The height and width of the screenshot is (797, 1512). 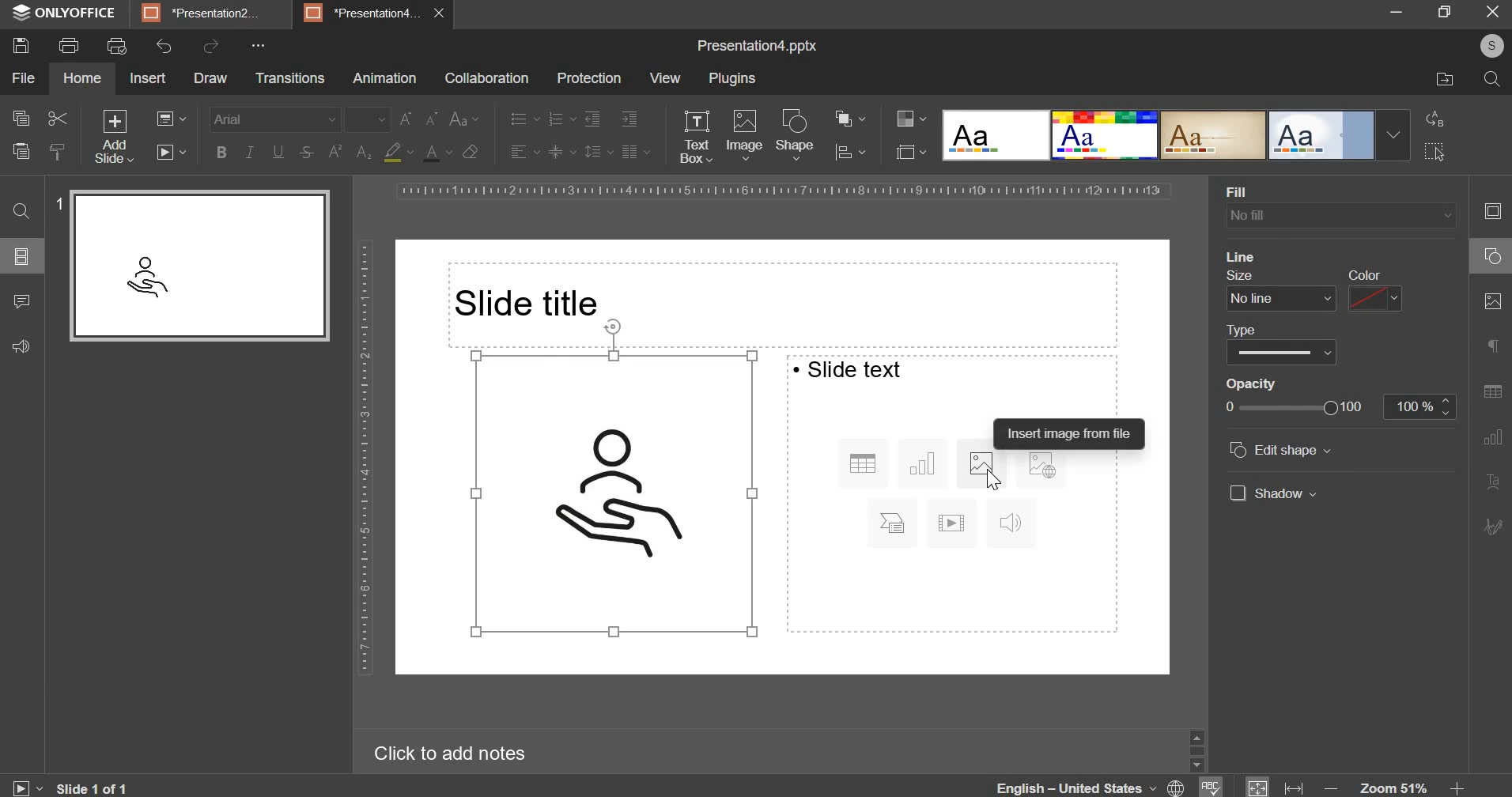 I want to click on fit to width, so click(x=1295, y=788).